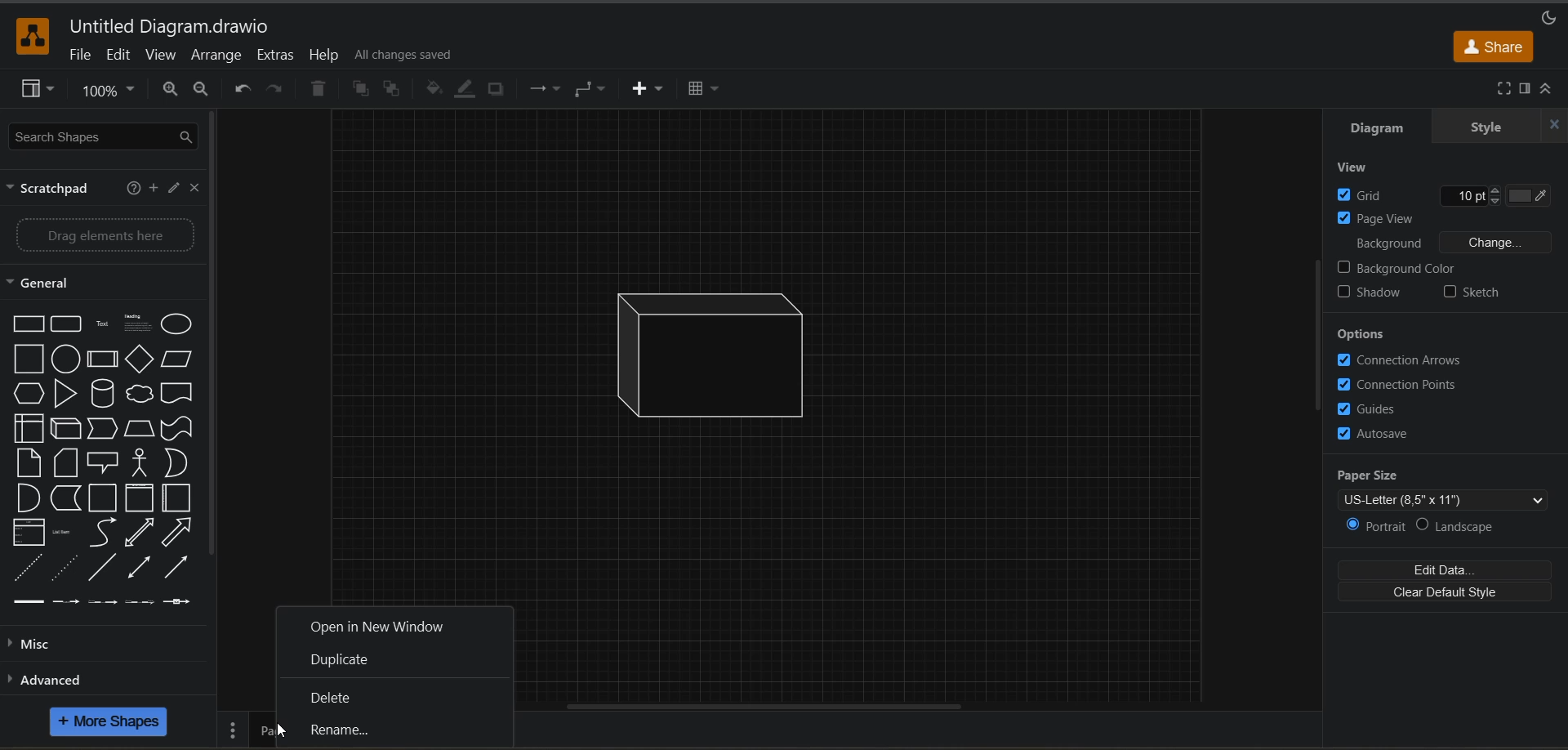 The image size is (1568, 750). I want to click on close, so click(196, 190).